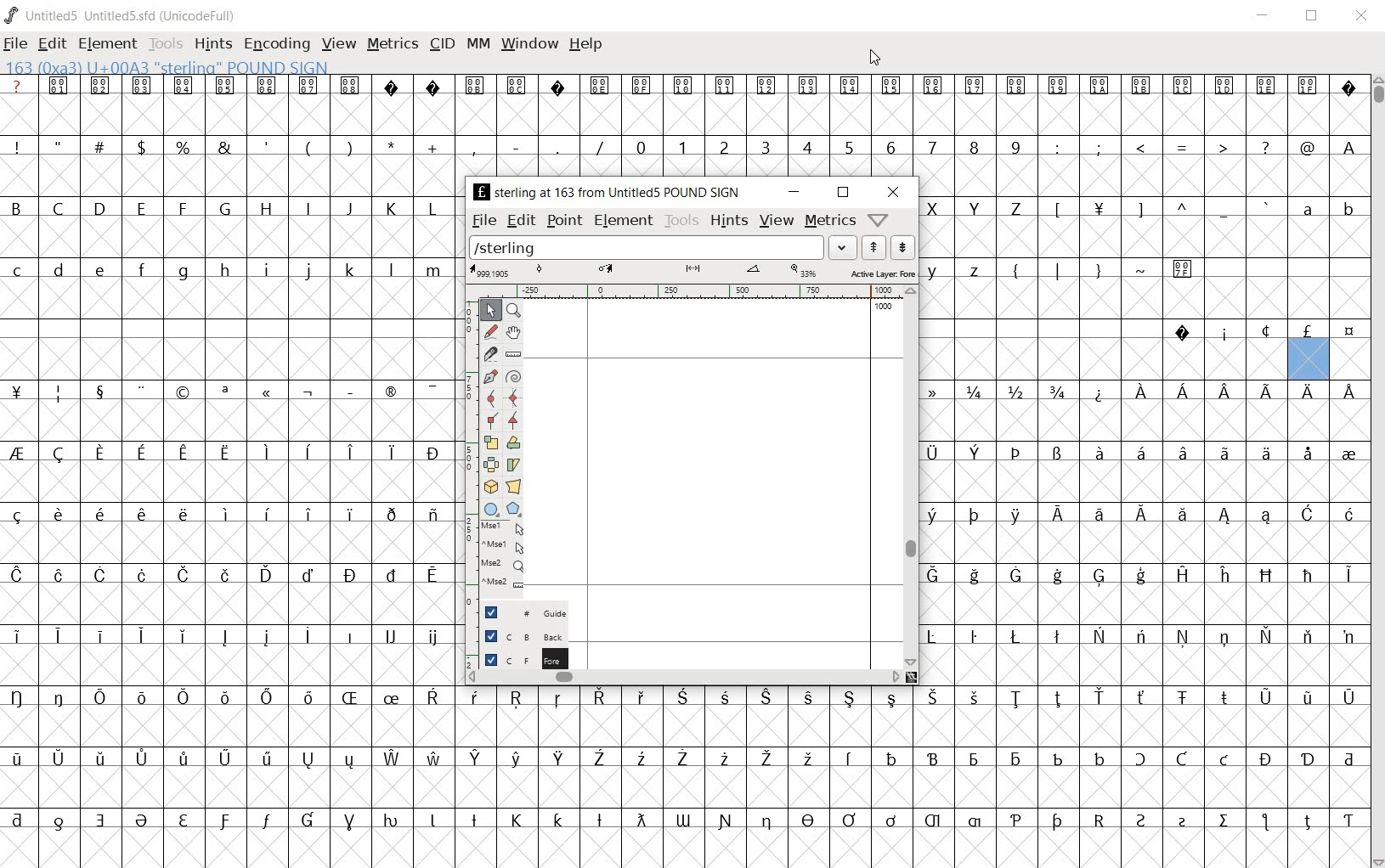 The width and height of the screenshot is (1385, 868). I want to click on Symbol, so click(1266, 758).